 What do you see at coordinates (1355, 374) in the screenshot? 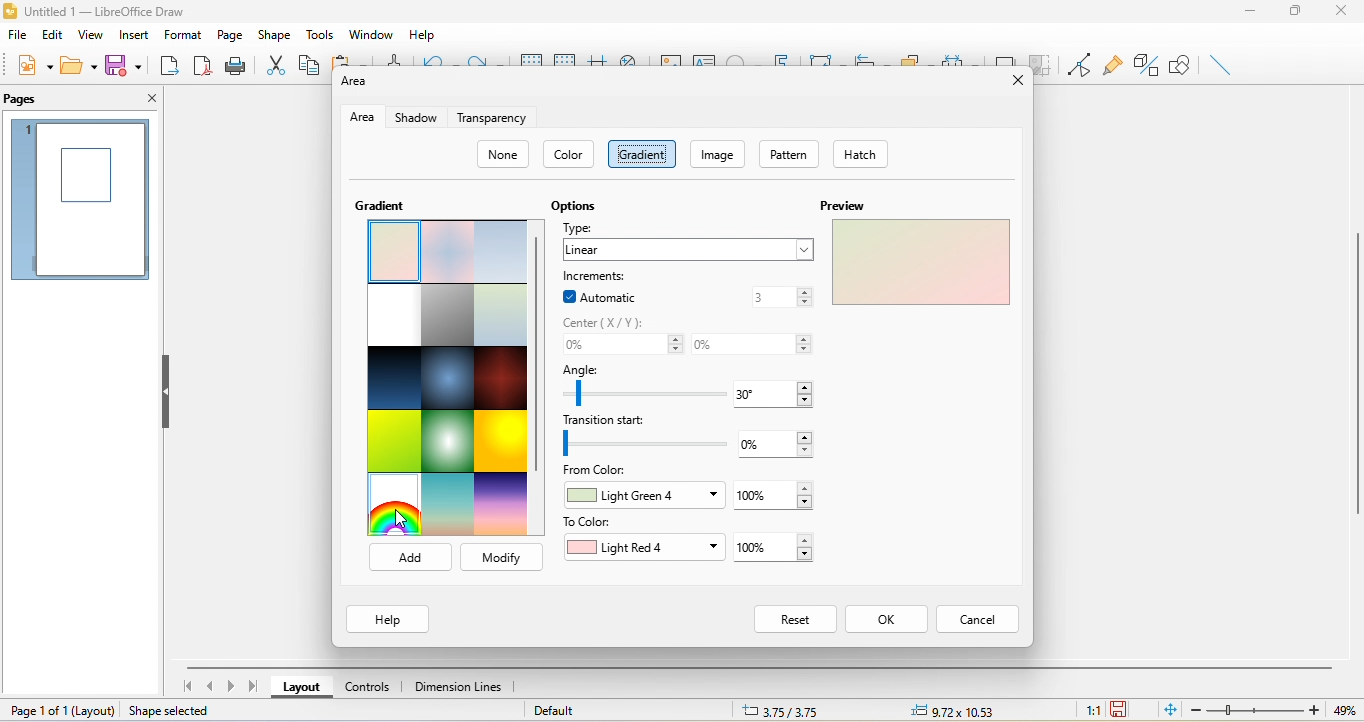
I see `vertical scroll  bar` at bounding box center [1355, 374].